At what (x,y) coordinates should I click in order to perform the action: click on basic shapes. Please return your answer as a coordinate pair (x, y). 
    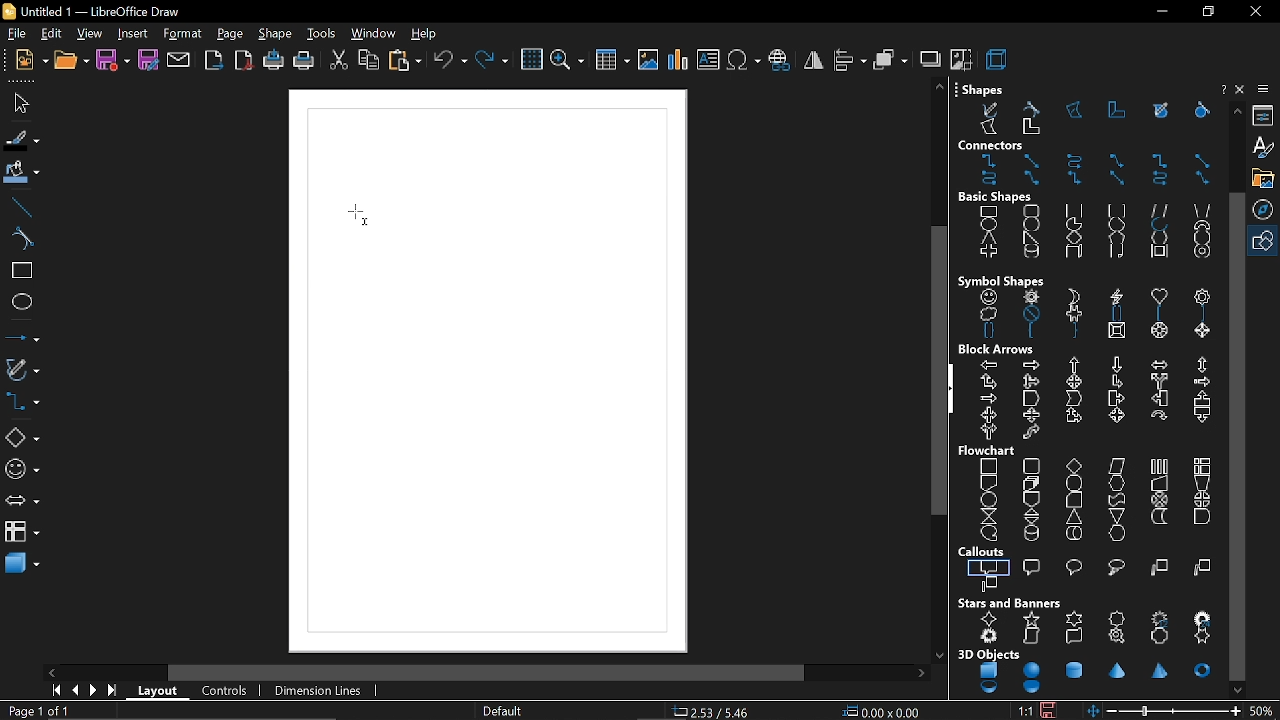
    Looking at the image, I should click on (22, 438).